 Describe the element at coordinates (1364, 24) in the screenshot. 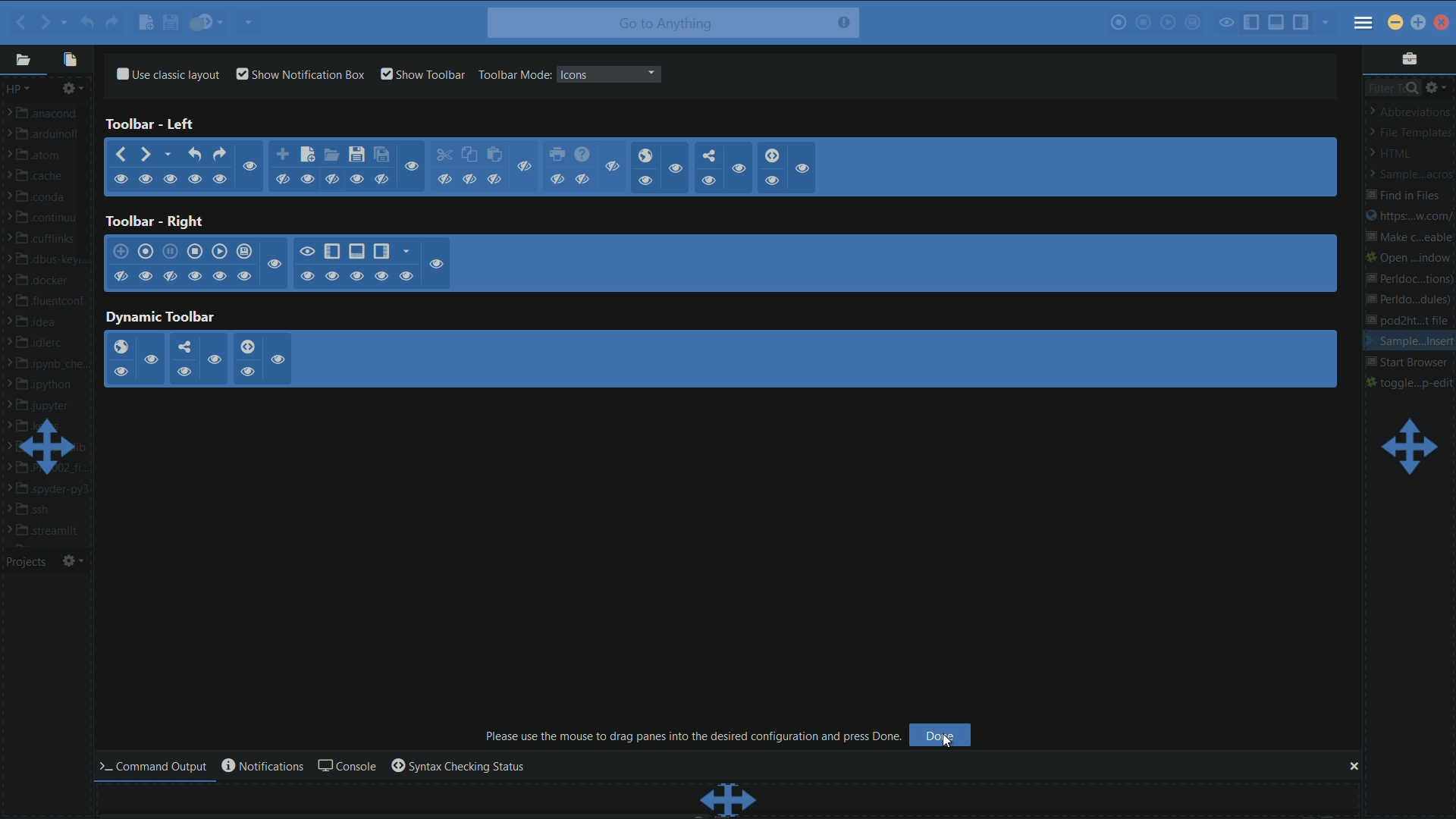

I see `menu` at that location.